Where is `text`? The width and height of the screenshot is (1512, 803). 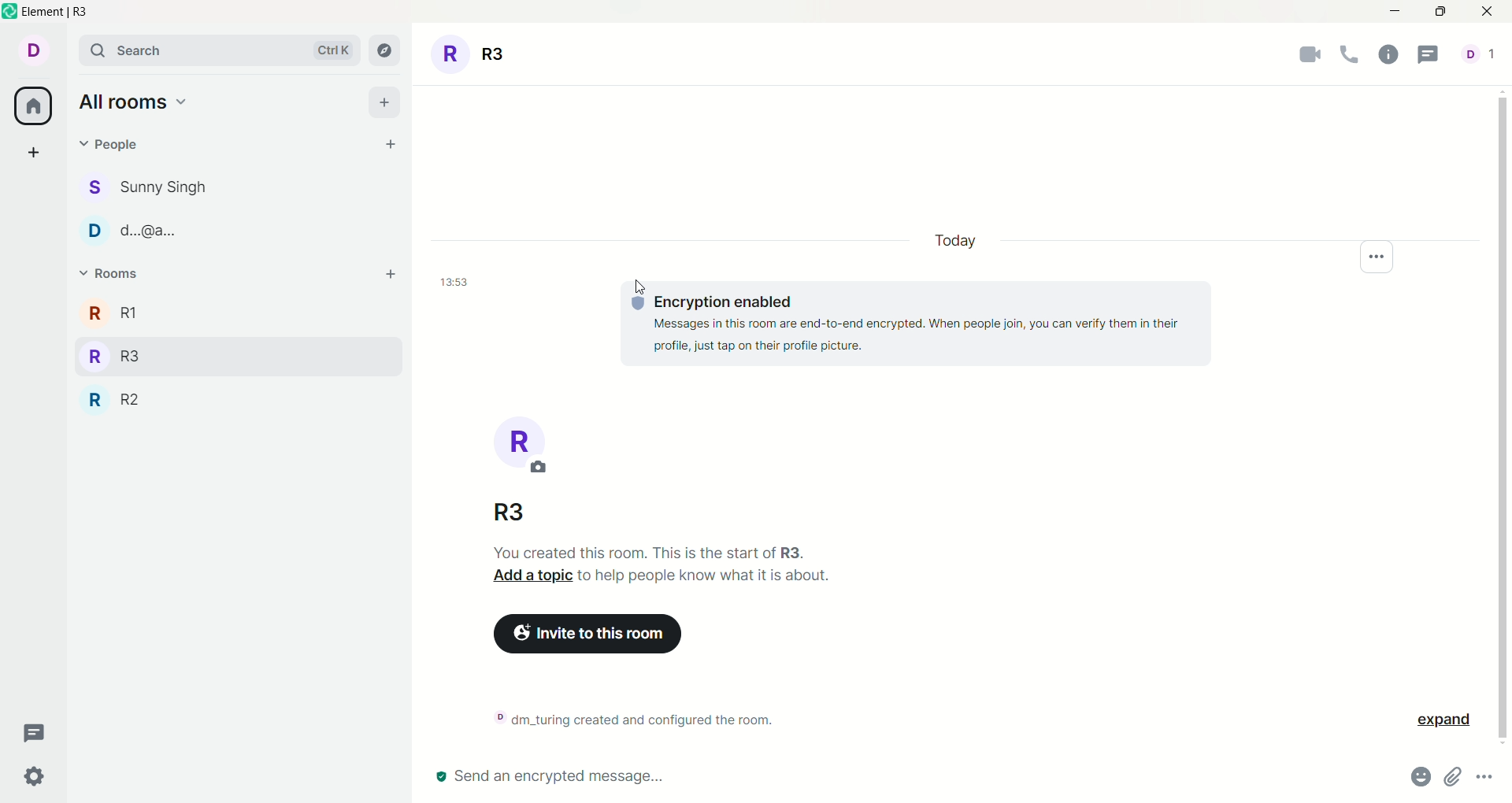
text is located at coordinates (639, 716).